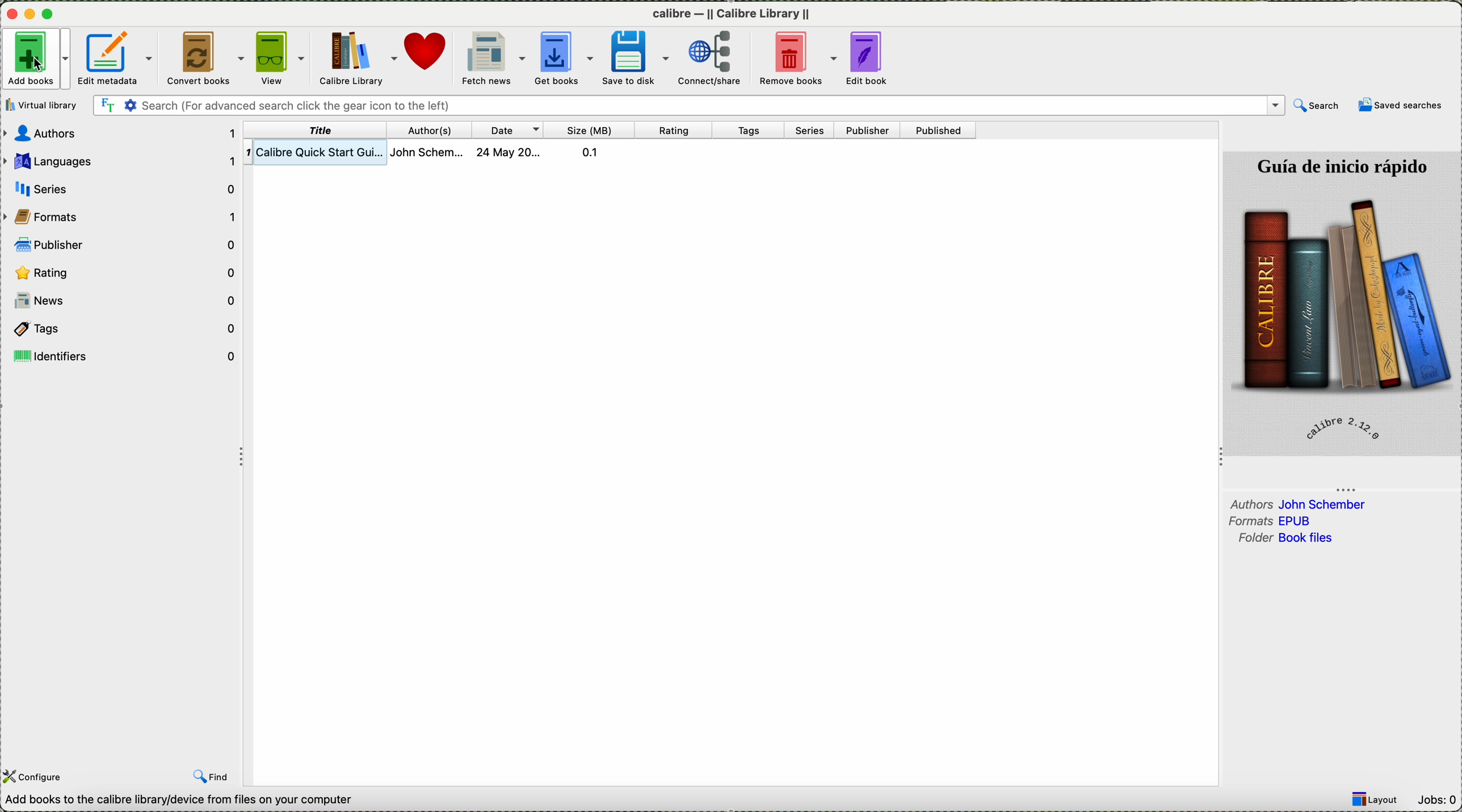  What do you see at coordinates (1436, 801) in the screenshot?
I see `Jobs: 0` at bounding box center [1436, 801].